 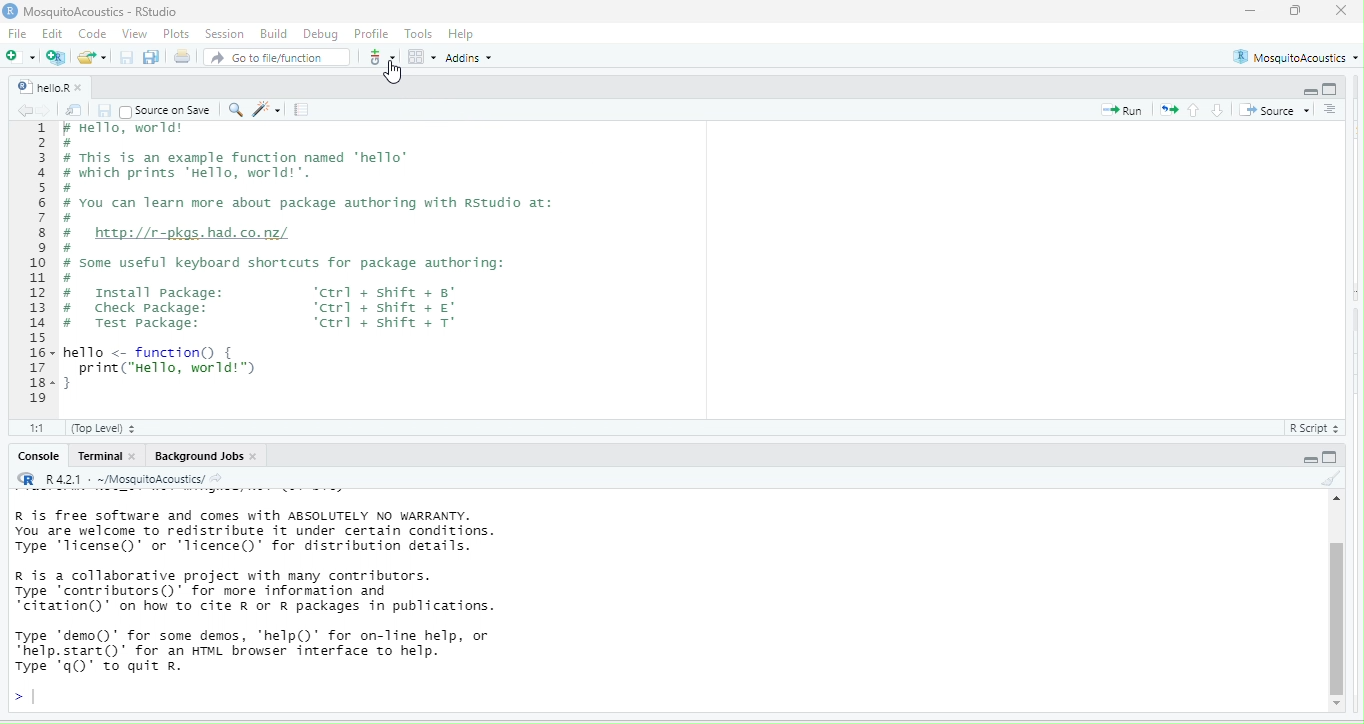 I want to click on scroll up, so click(x=1335, y=500).